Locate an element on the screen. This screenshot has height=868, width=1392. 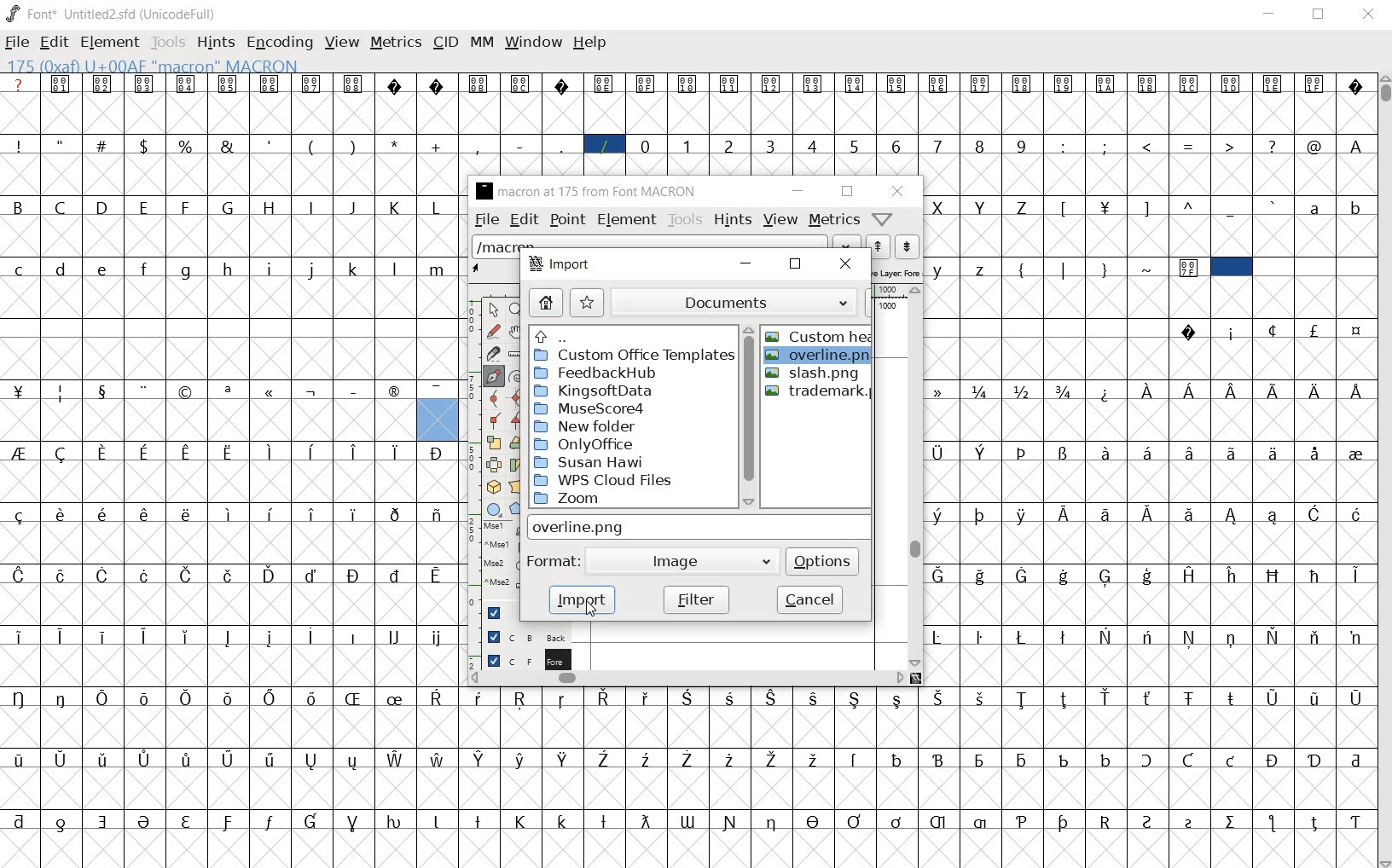
scrollbar is located at coordinates (749, 414).